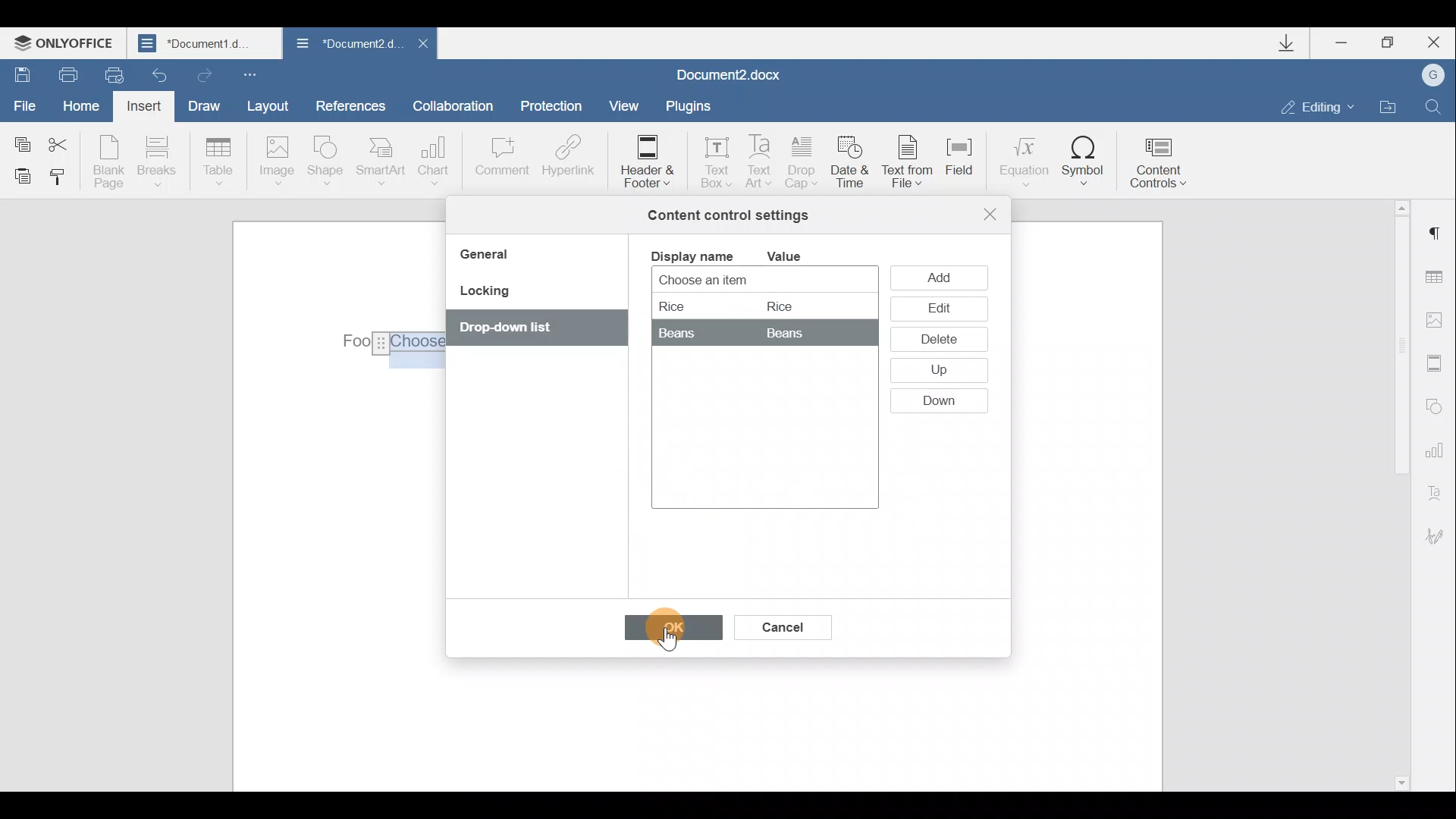  I want to click on Content control settings, so click(728, 215).